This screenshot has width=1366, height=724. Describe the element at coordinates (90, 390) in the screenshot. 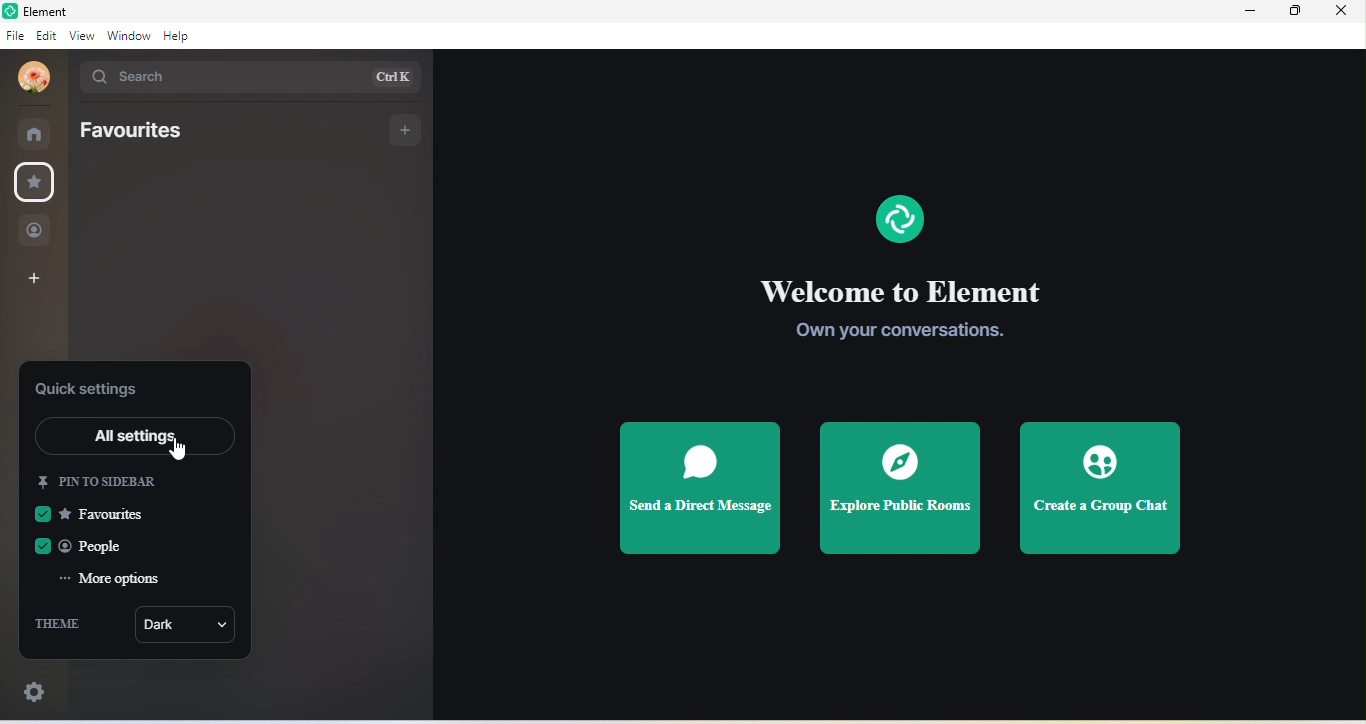

I see `quick settings` at that location.